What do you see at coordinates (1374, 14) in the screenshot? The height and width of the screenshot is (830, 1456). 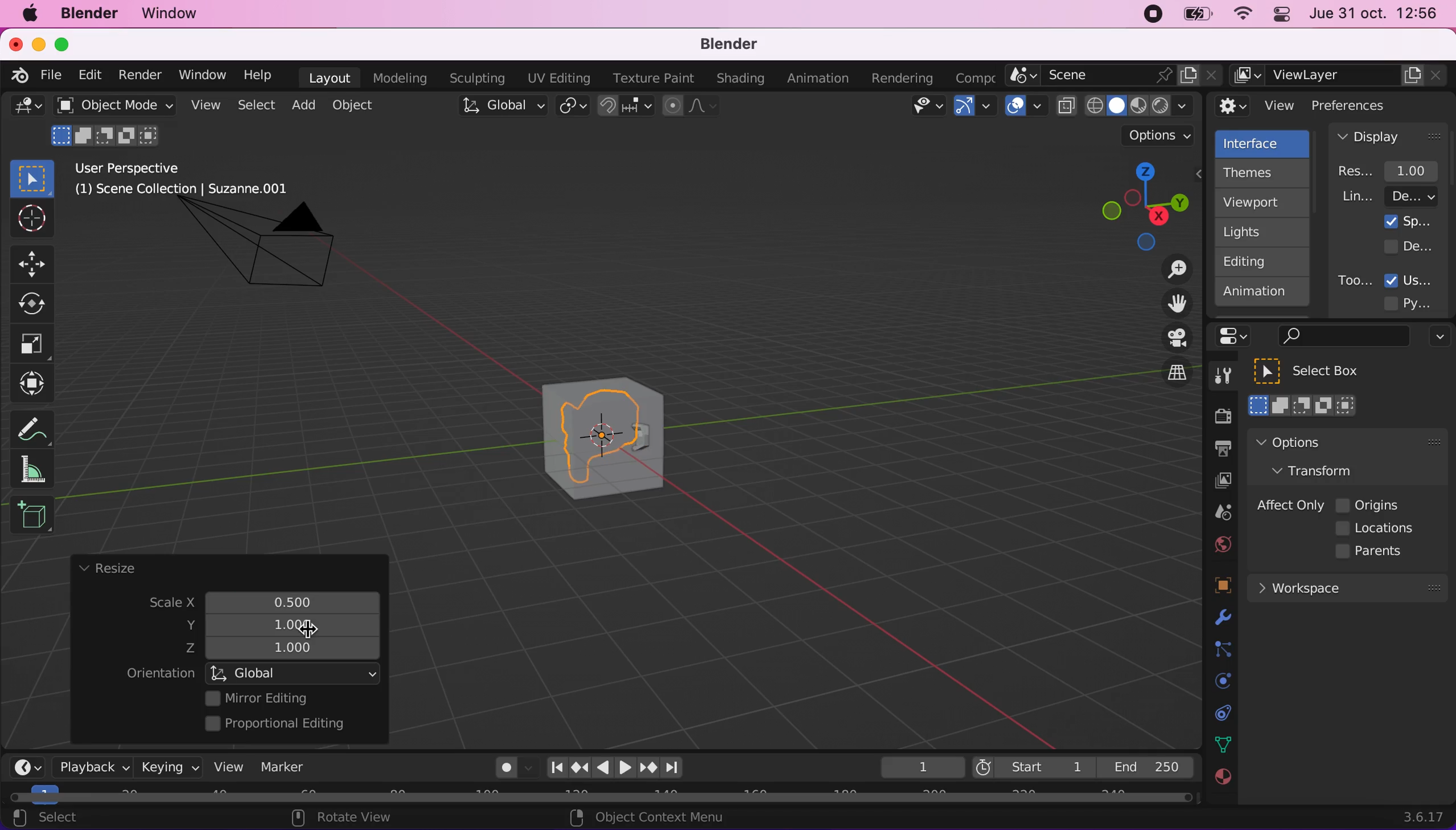 I see `jue 31 oct. 12:56` at bounding box center [1374, 14].